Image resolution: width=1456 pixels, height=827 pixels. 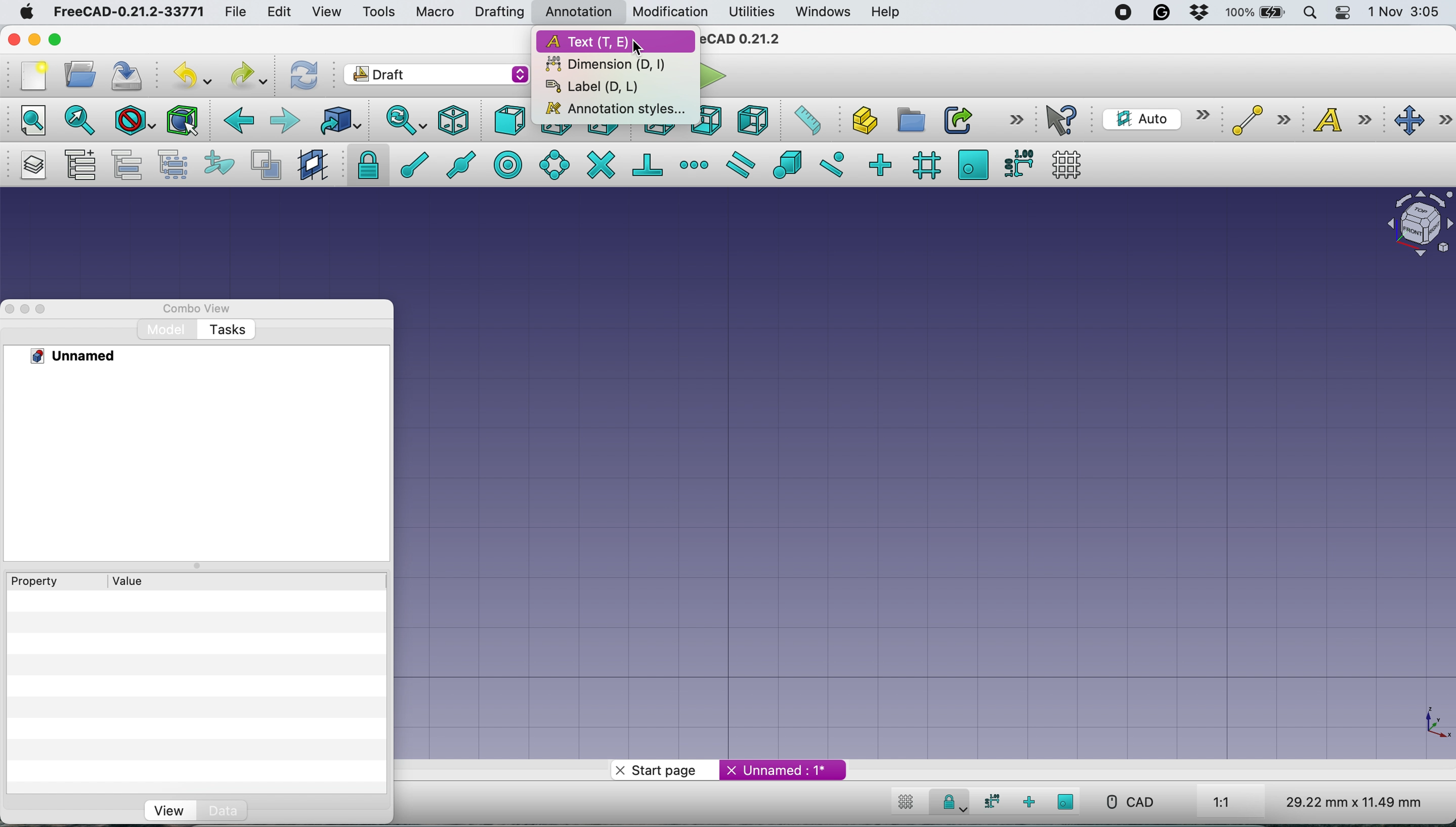 What do you see at coordinates (284, 121) in the screenshot?
I see `forward` at bounding box center [284, 121].